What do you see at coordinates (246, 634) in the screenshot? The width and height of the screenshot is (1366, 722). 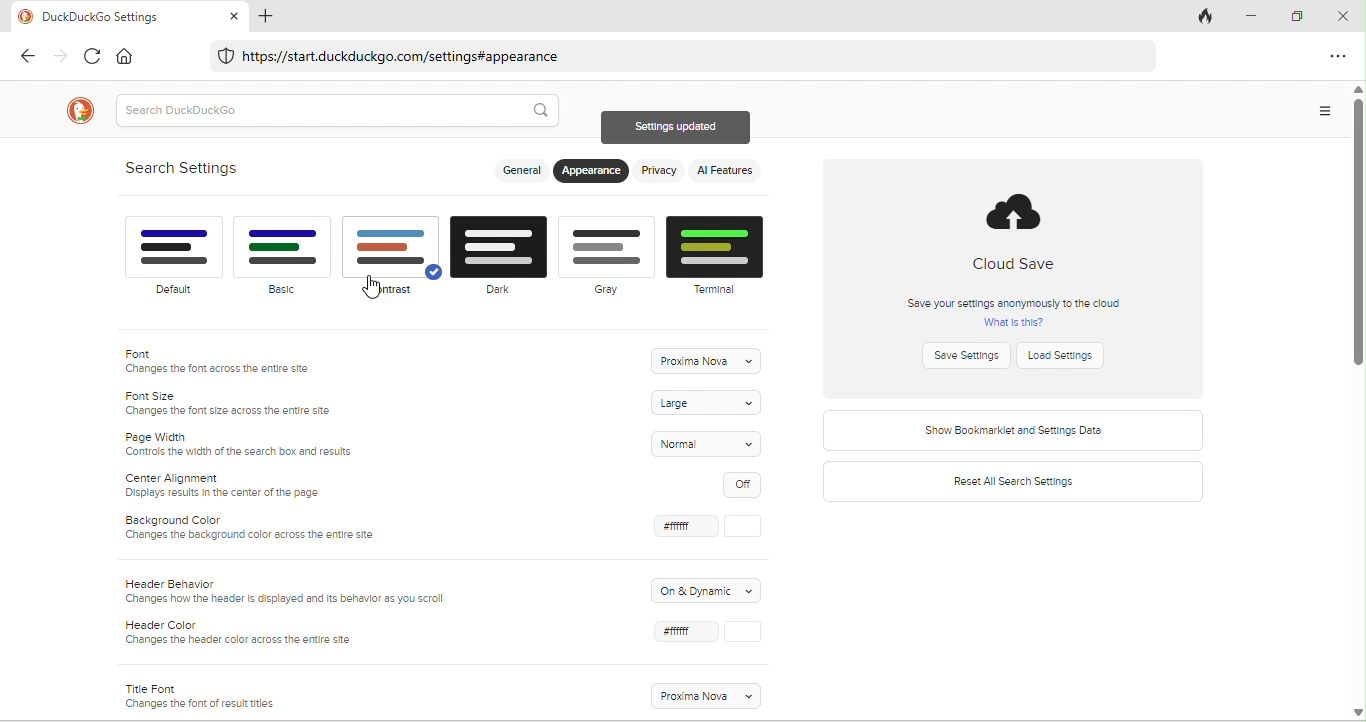 I see `header color` at bounding box center [246, 634].